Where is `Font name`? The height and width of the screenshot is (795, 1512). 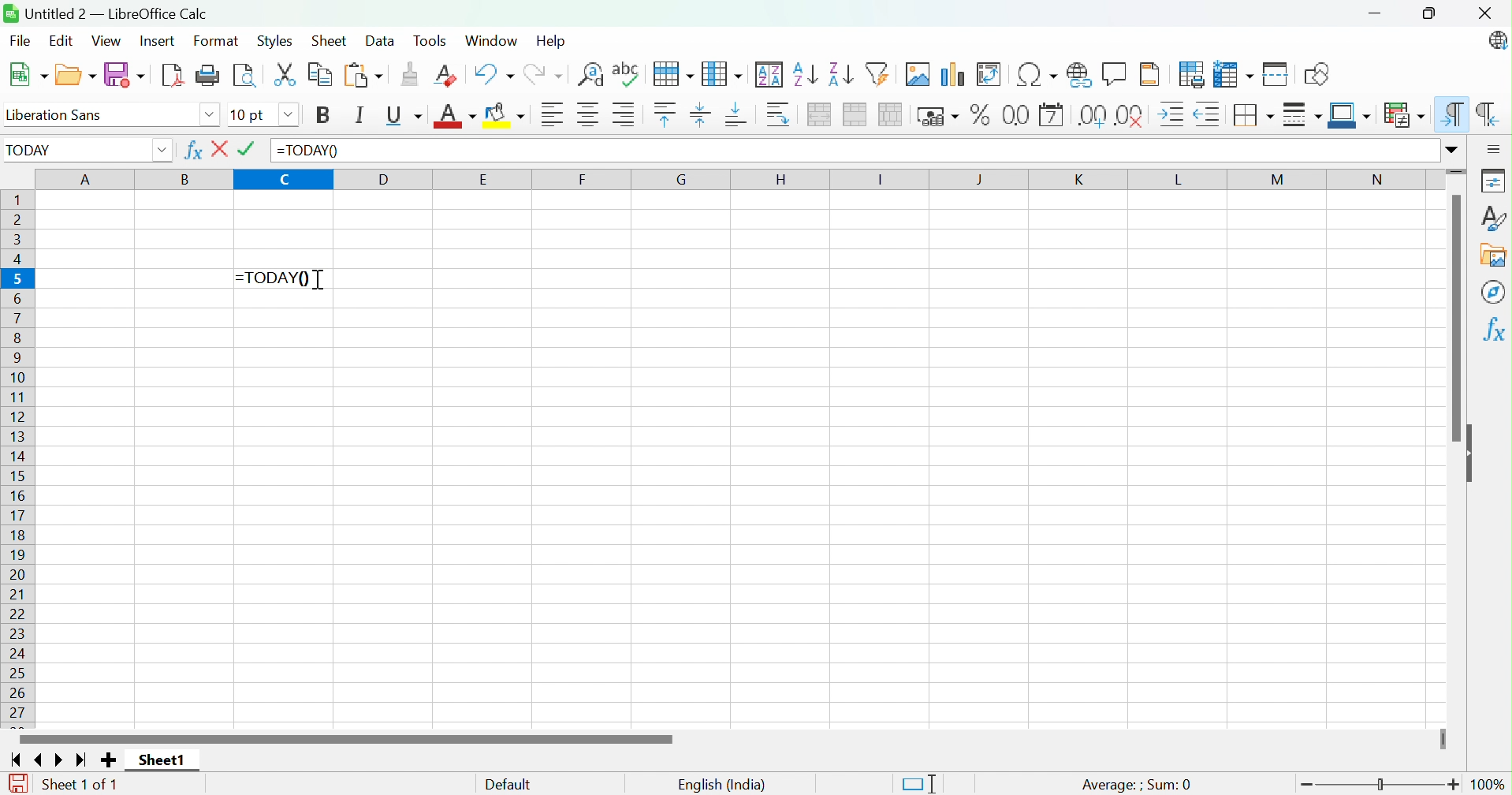 Font name is located at coordinates (251, 116).